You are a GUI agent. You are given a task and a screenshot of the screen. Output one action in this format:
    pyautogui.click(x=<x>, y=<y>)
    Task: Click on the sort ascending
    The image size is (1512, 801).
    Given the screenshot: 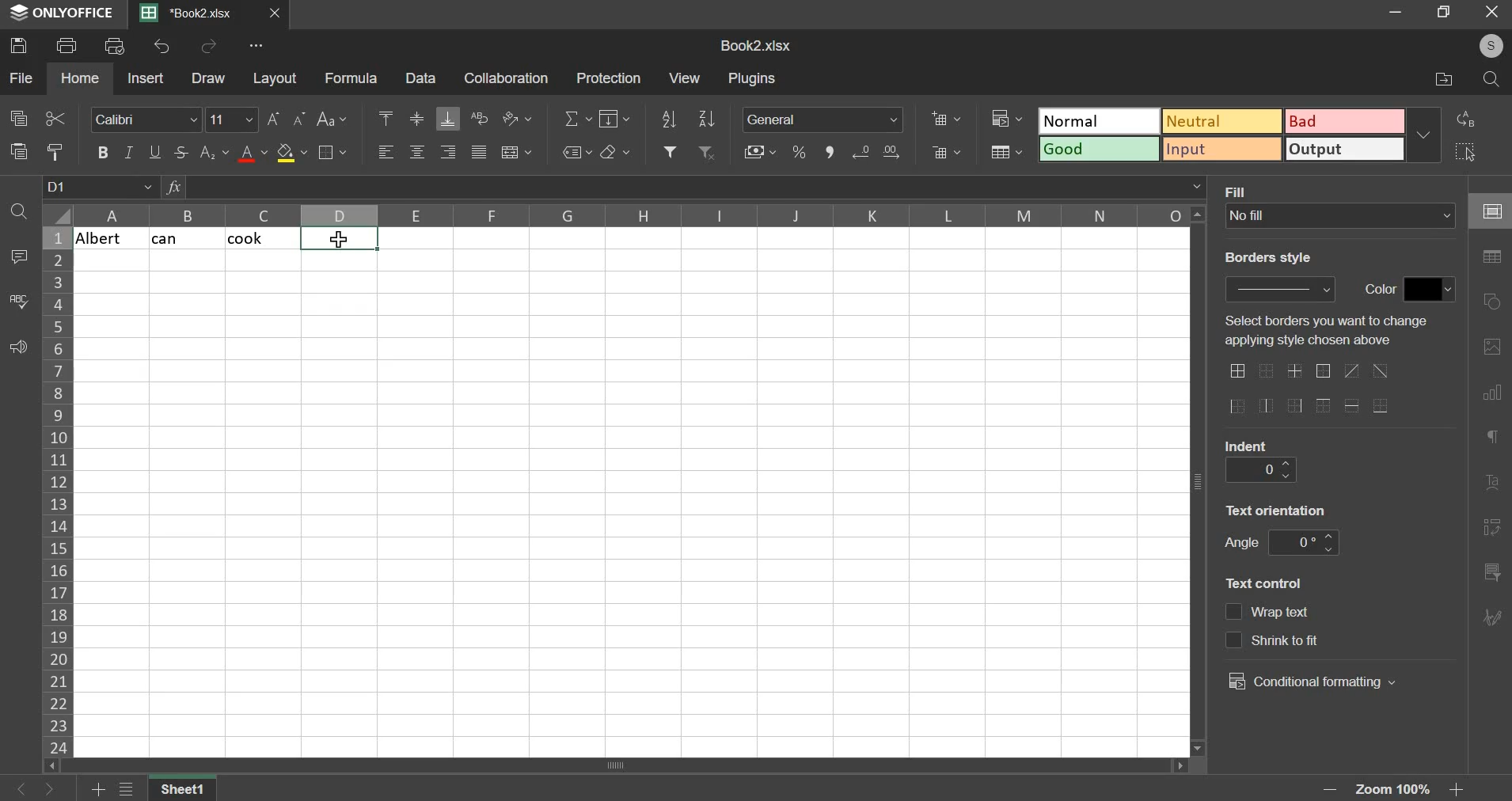 What is the action you would take?
    pyautogui.click(x=669, y=116)
    